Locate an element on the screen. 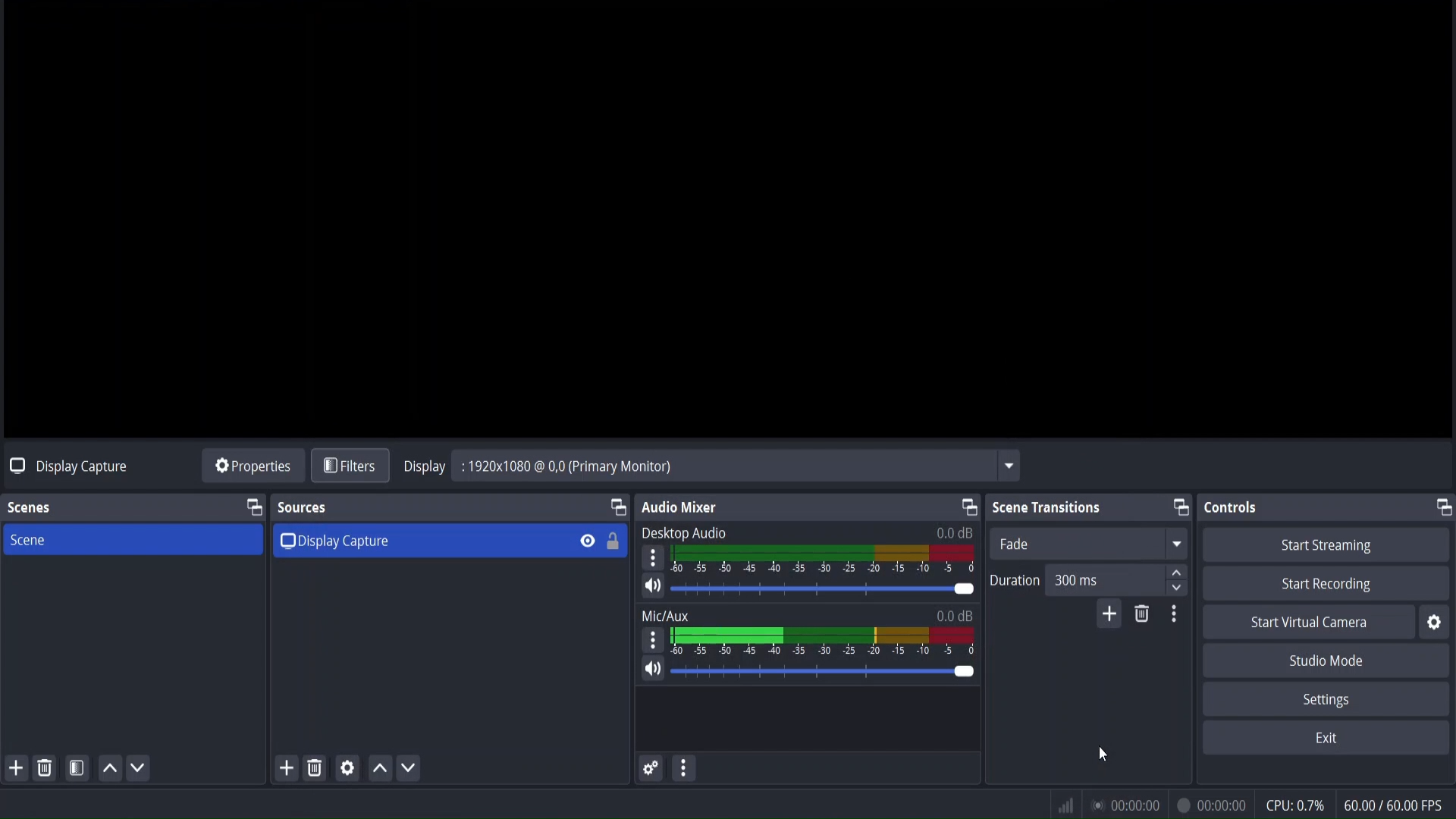 The height and width of the screenshot is (819, 1456). audio mixer is located at coordinates (679, 507).